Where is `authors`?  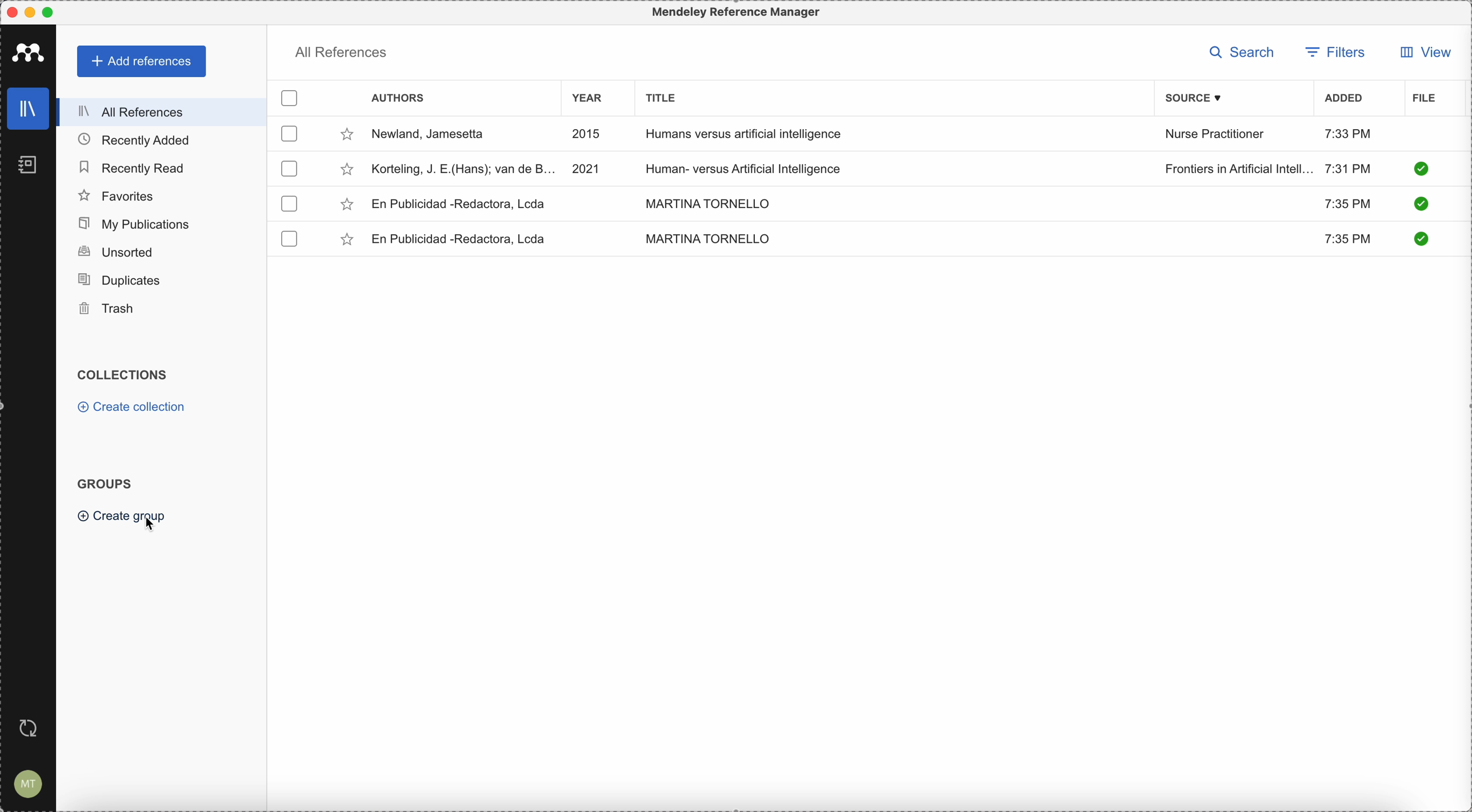 authors is located at coordinates (398, 99).